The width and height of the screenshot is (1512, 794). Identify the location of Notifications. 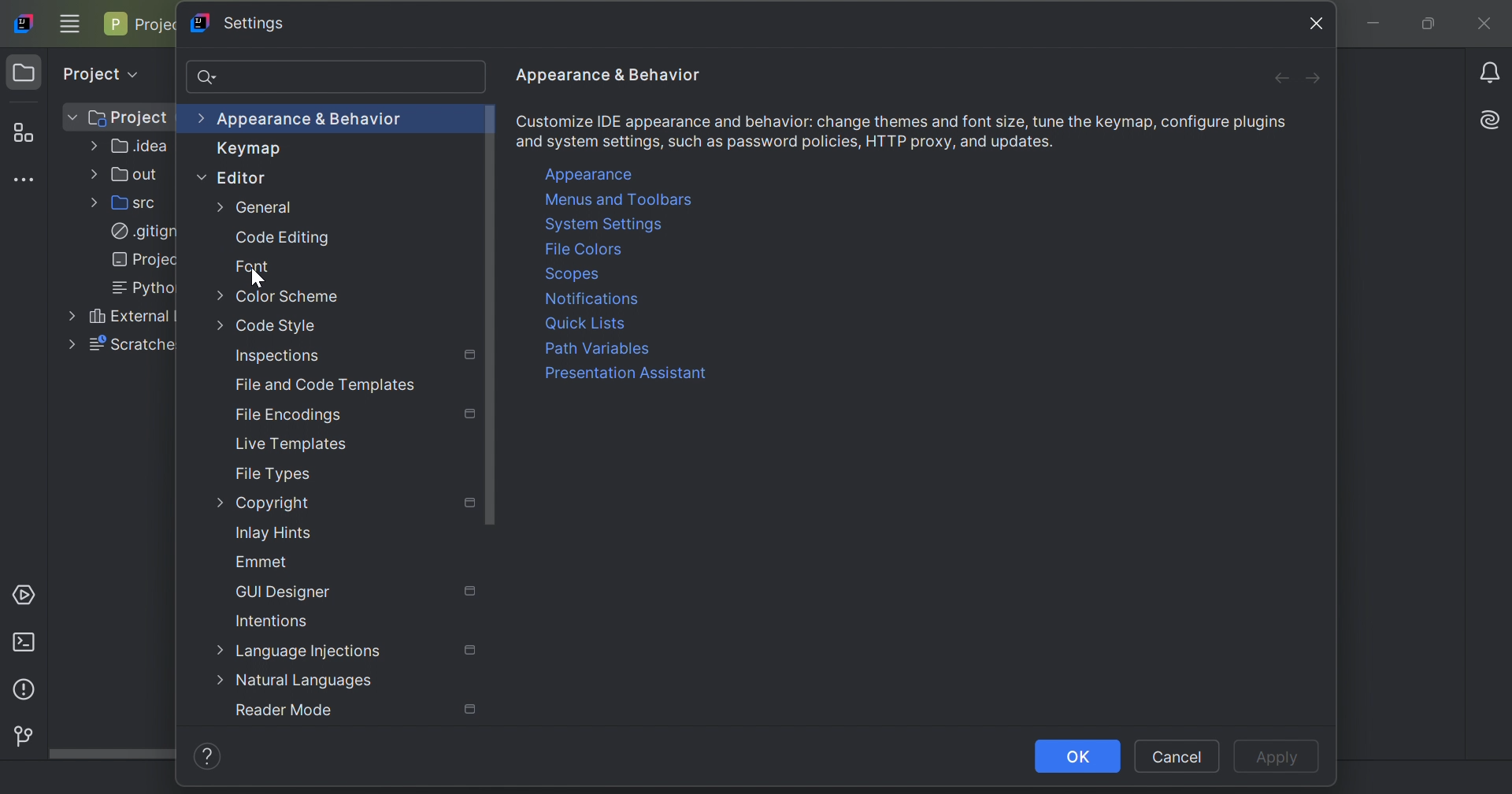
(591, 299).